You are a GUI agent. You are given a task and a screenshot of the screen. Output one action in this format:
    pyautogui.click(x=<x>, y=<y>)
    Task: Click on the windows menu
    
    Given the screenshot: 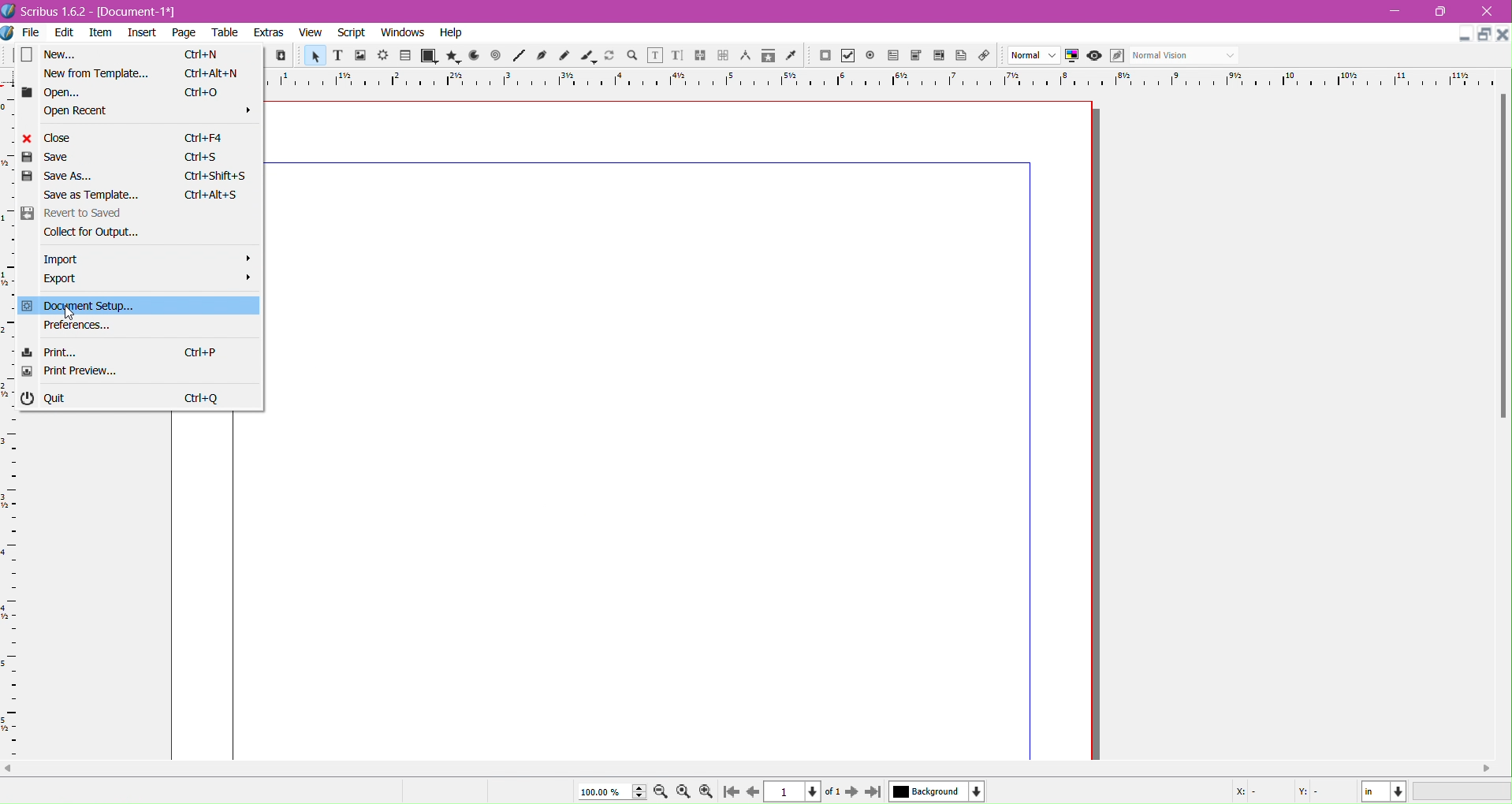 What is the action you would take?
    pyautogui.click(x=402, y=33)
    